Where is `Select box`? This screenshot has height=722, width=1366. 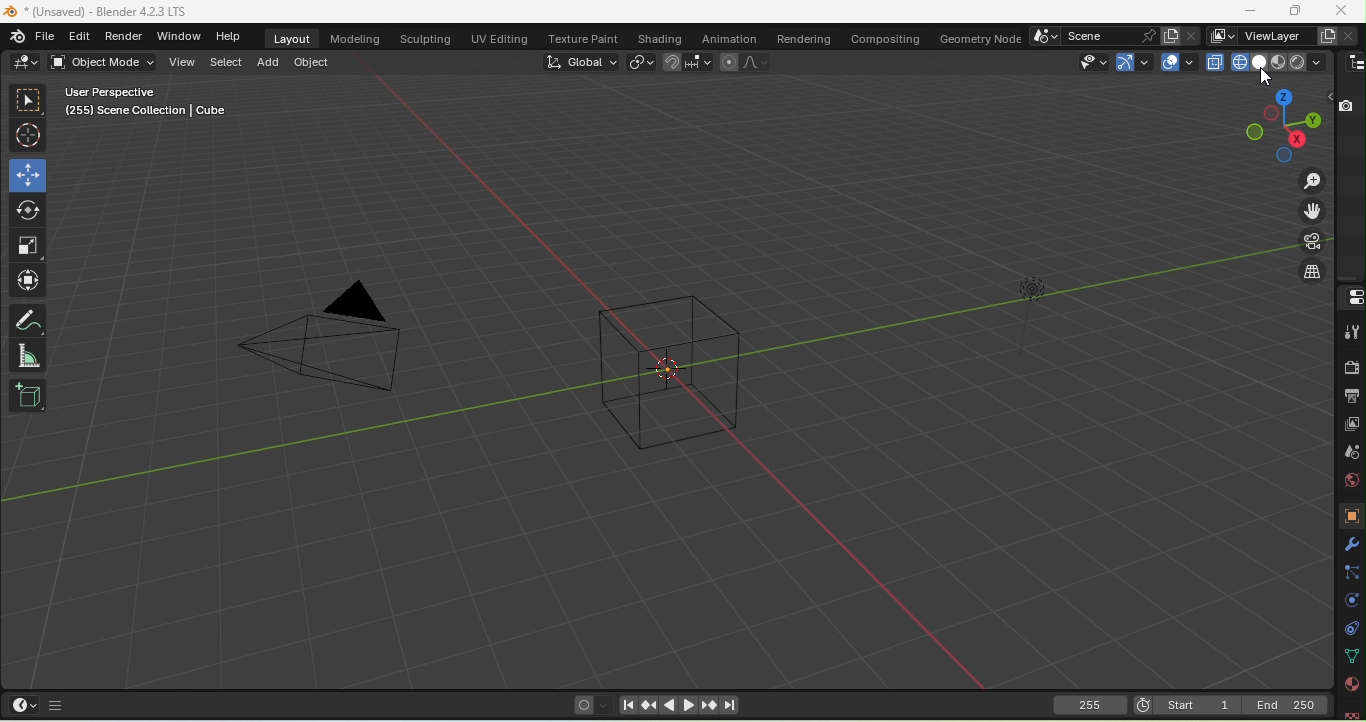
Select box is located at coordinates (30, 99).